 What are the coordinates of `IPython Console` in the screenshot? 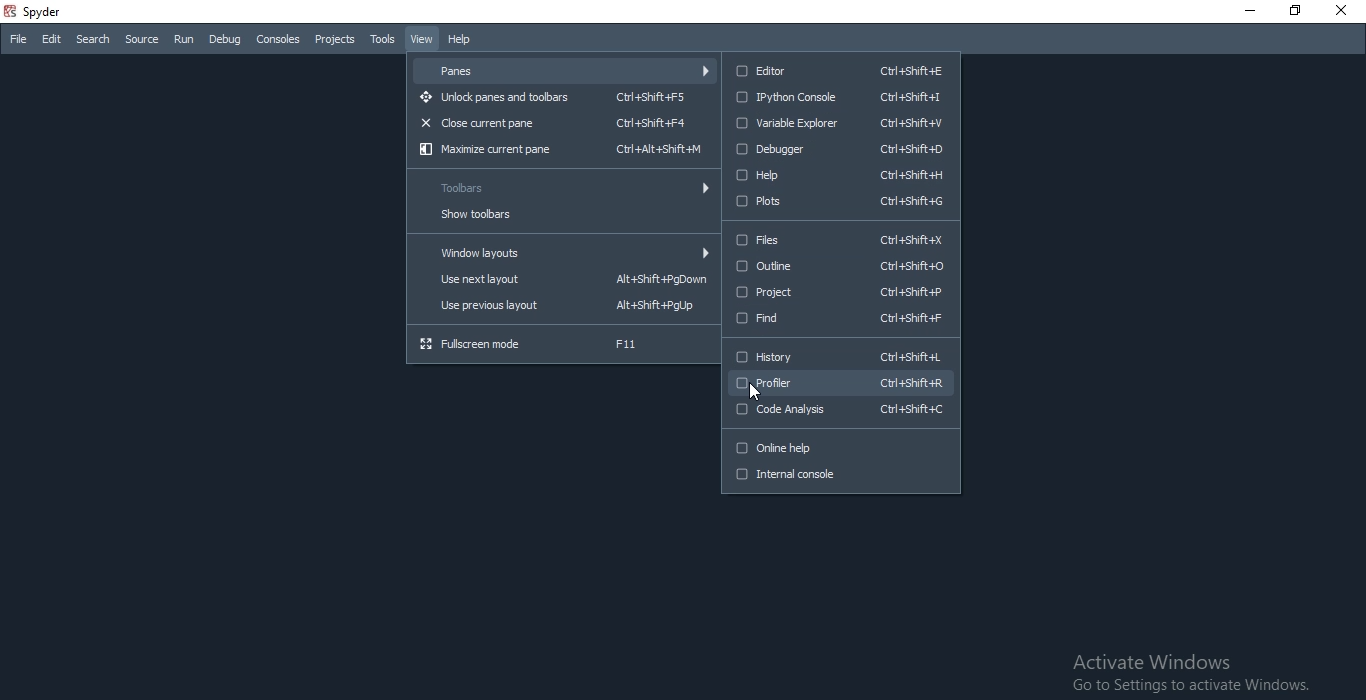 It's located at (841, 96).